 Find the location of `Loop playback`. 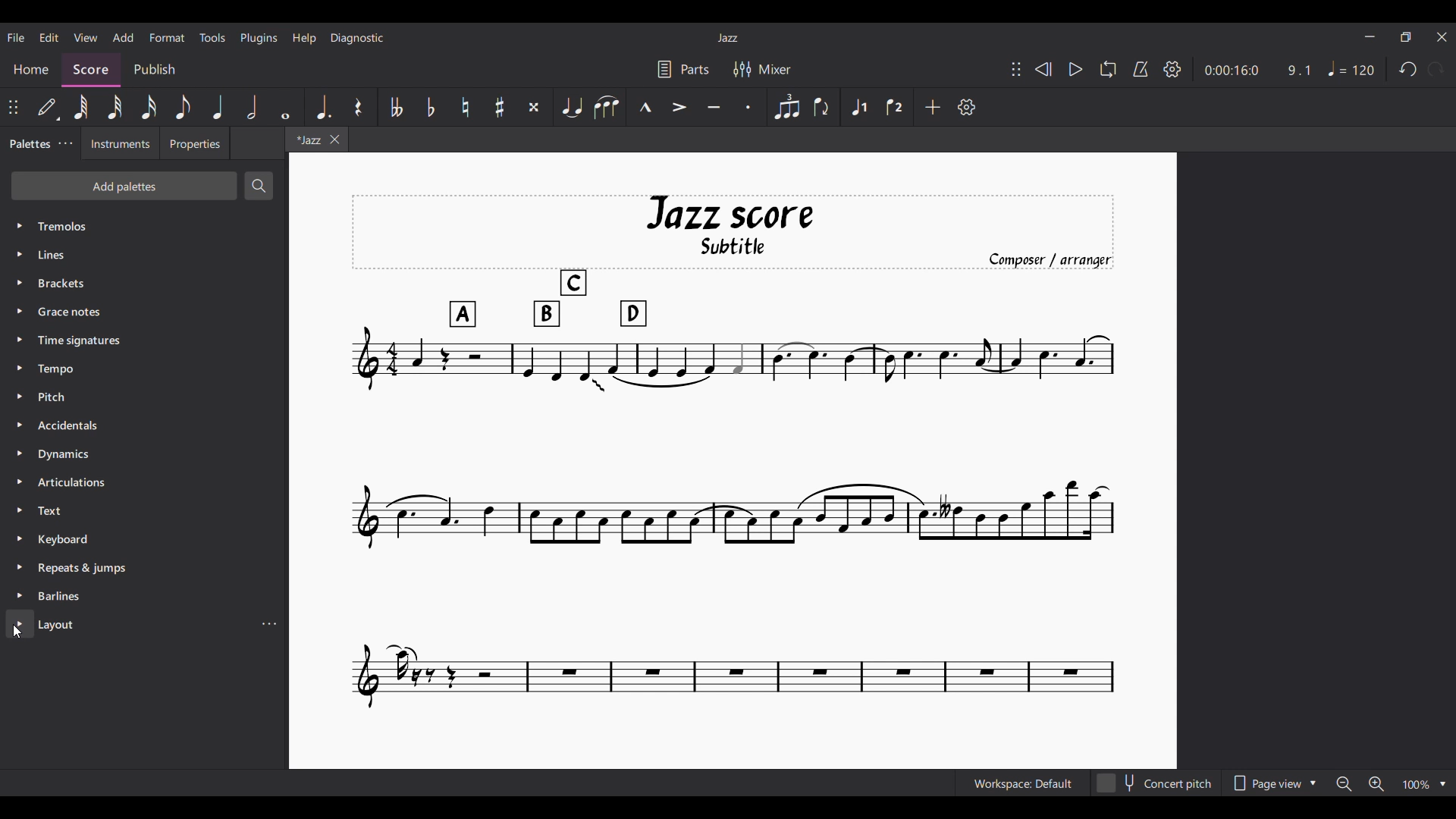

Loop playback is located at coordinates (1109, 69).